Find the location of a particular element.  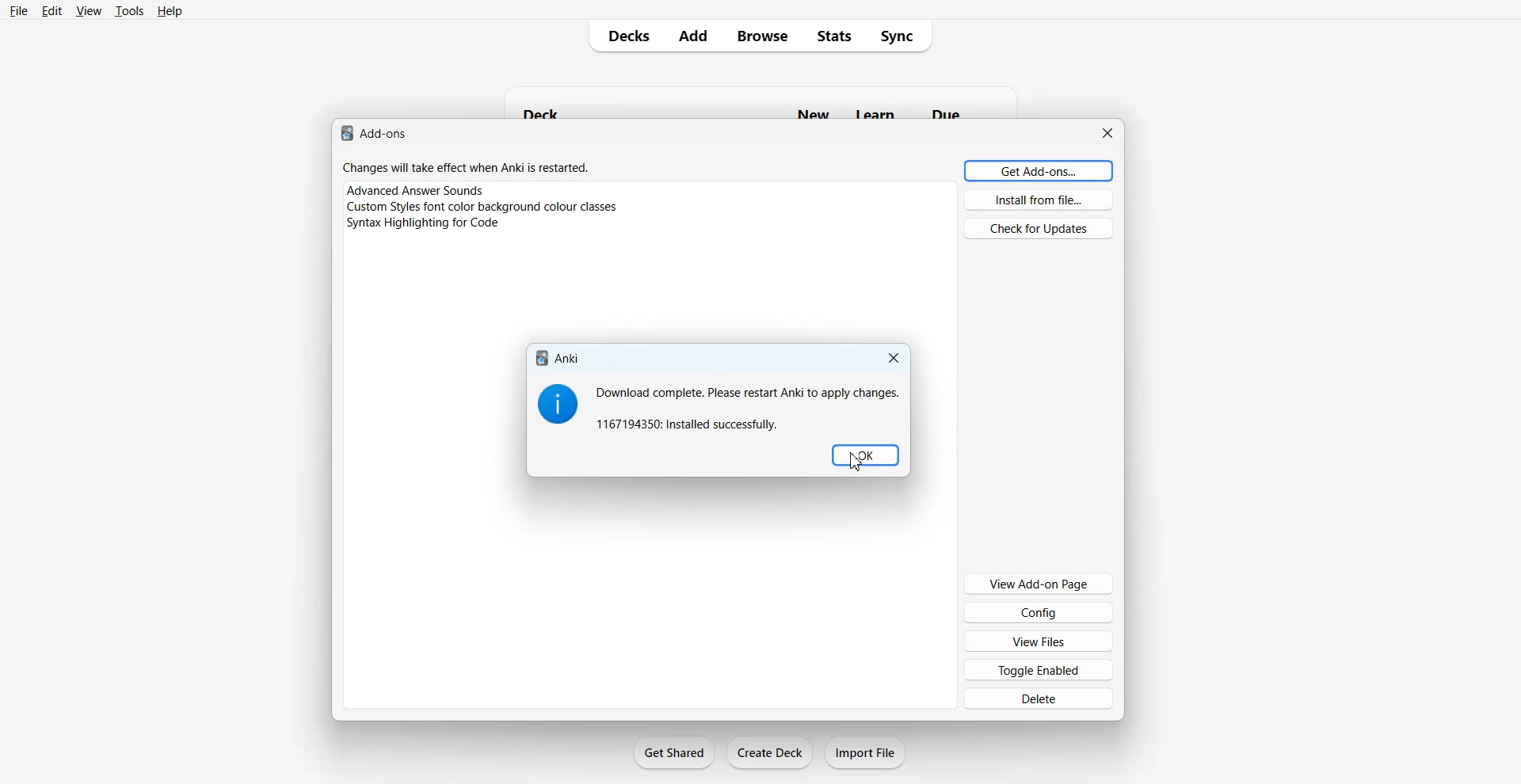

View Files is located at coordinates (1039, 641).